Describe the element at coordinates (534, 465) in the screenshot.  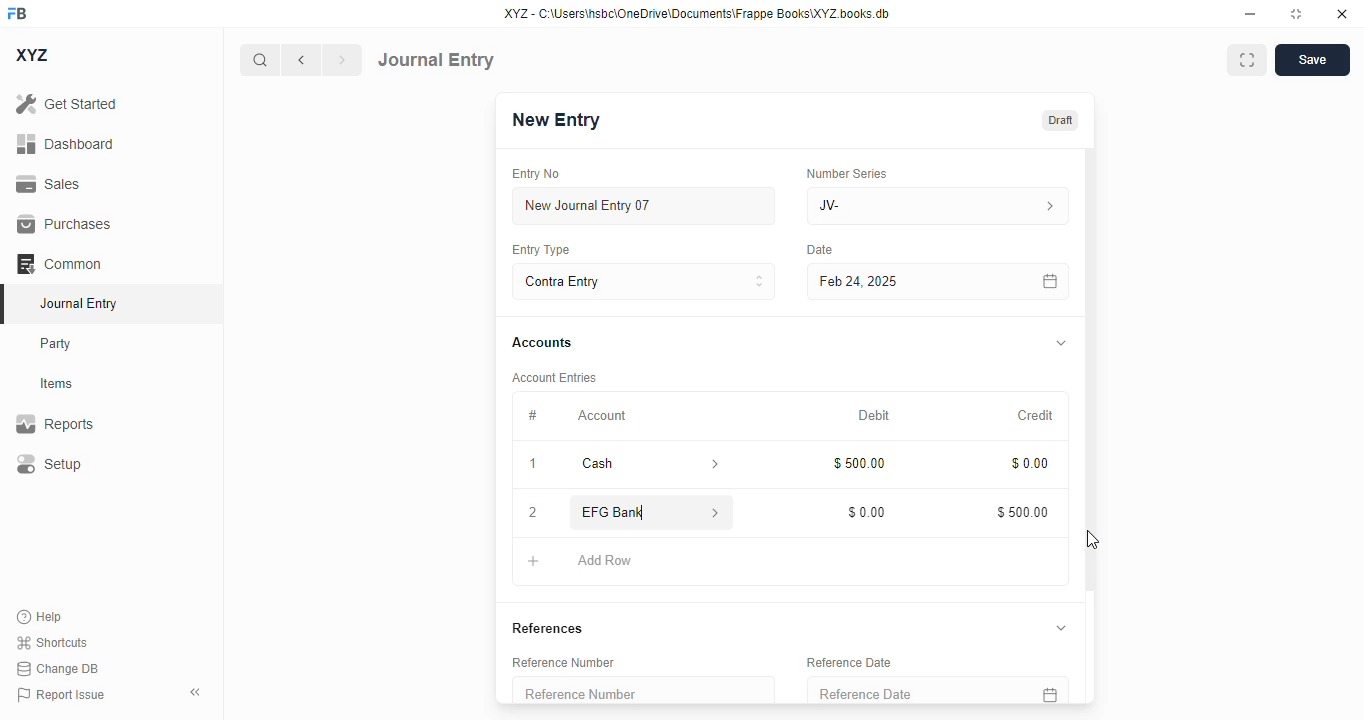
I see `1` at that location.